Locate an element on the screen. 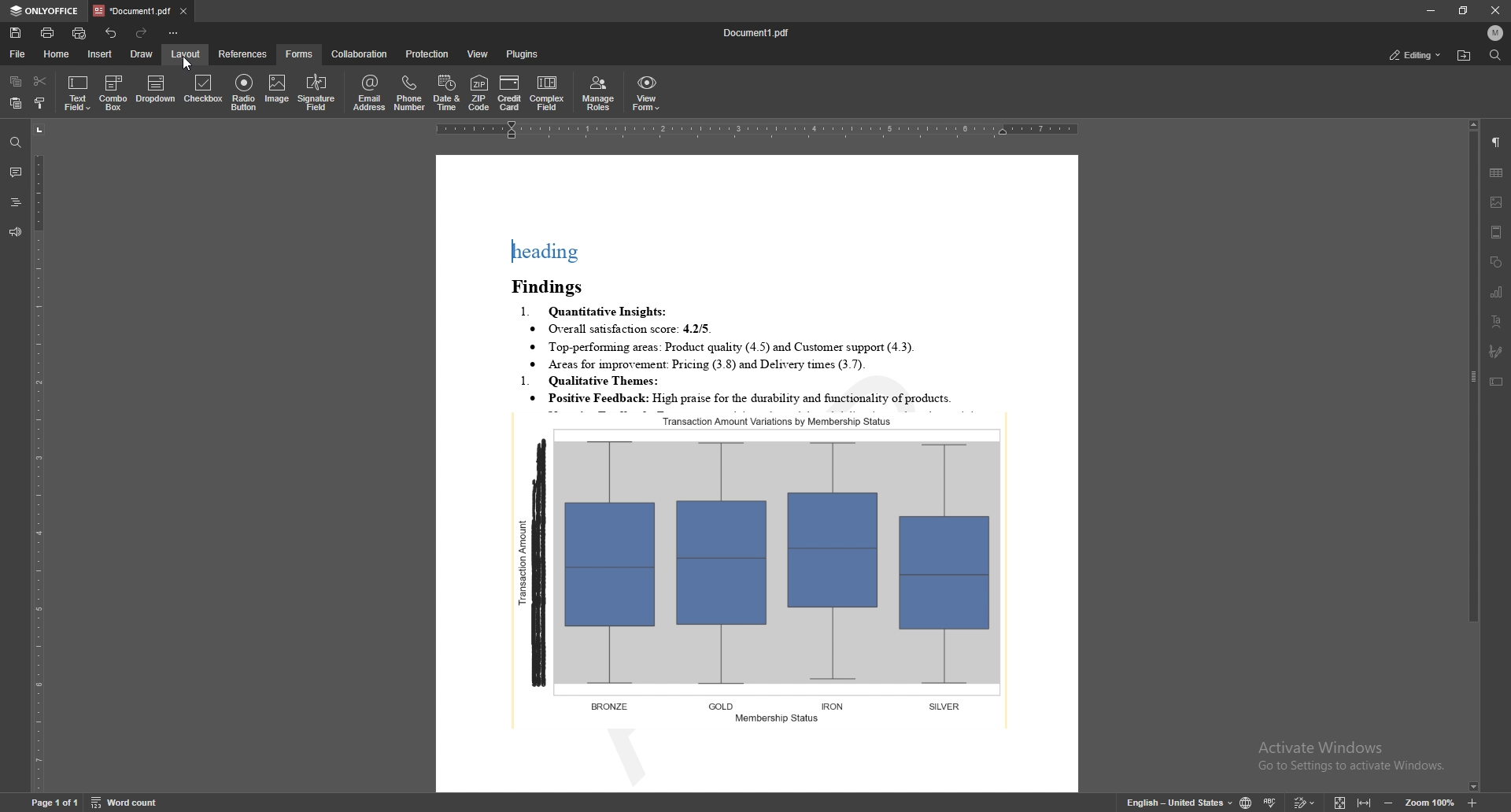 This screenshot has width=1511, height=812. undo is located at coordinates (113, 33).